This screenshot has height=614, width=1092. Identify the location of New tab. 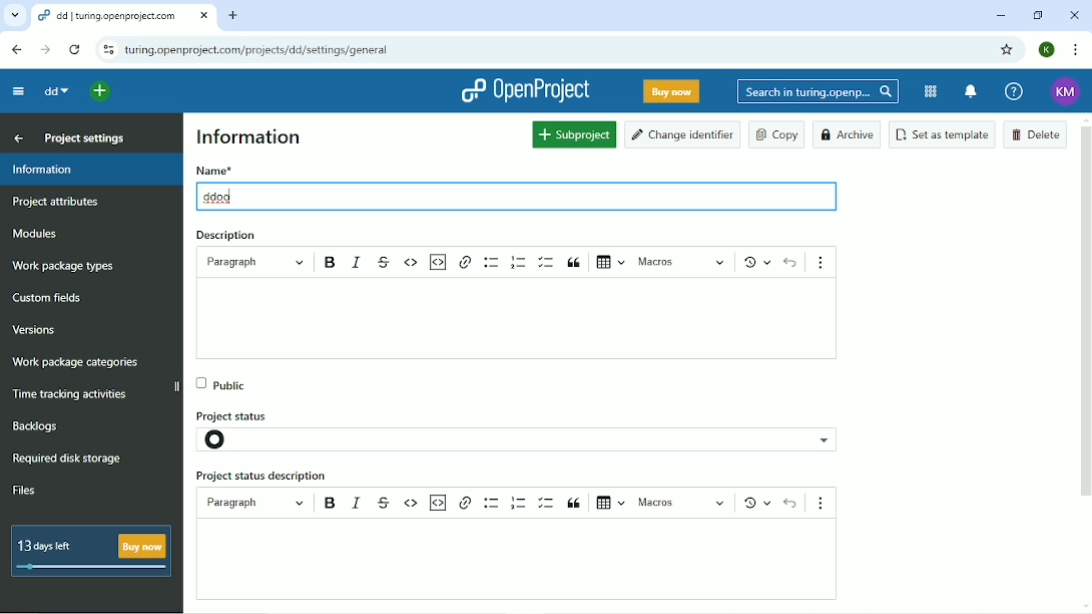
(235, 16).